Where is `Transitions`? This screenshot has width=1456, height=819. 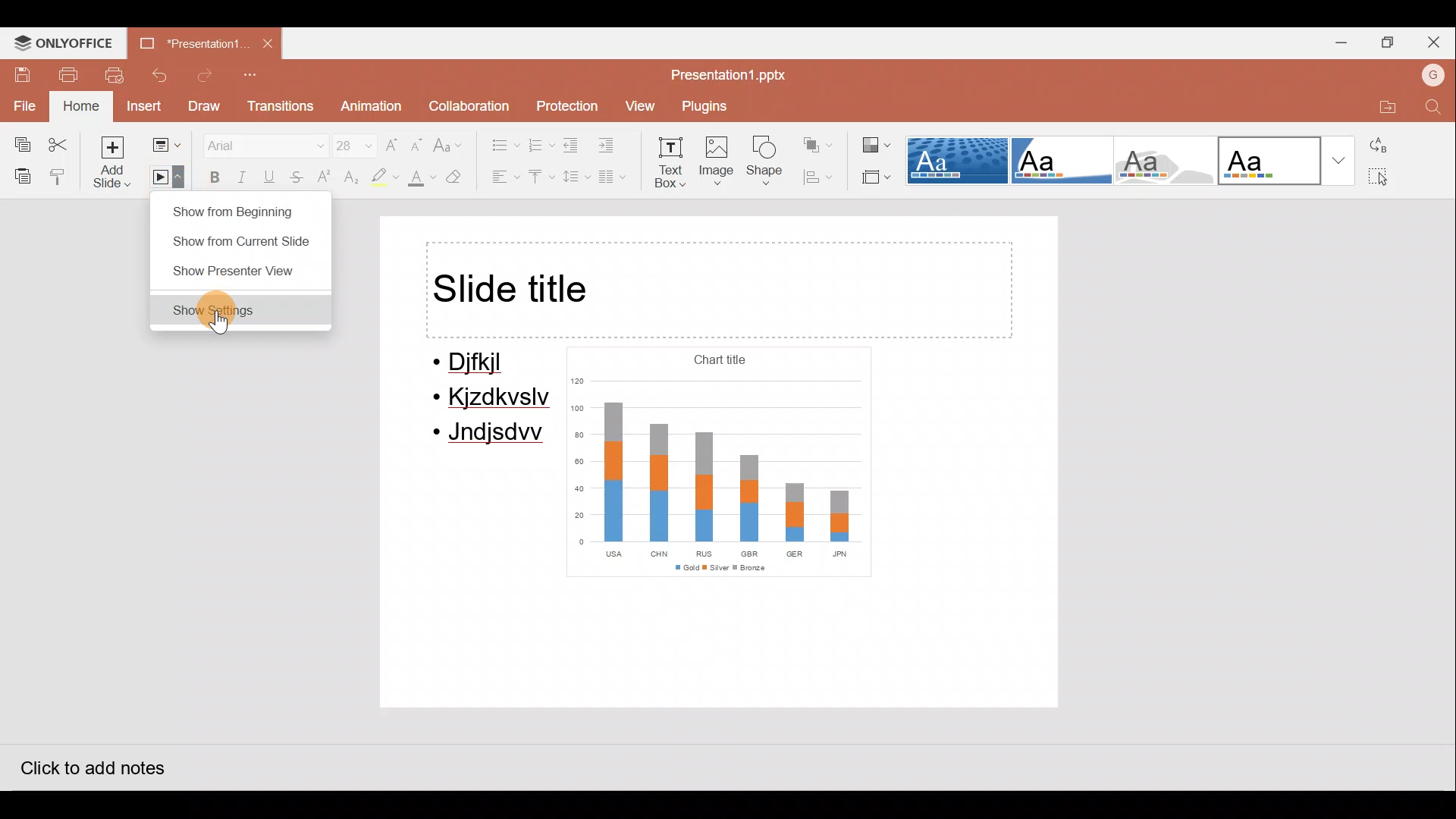
Transitions is located at coordinates (281, 106).